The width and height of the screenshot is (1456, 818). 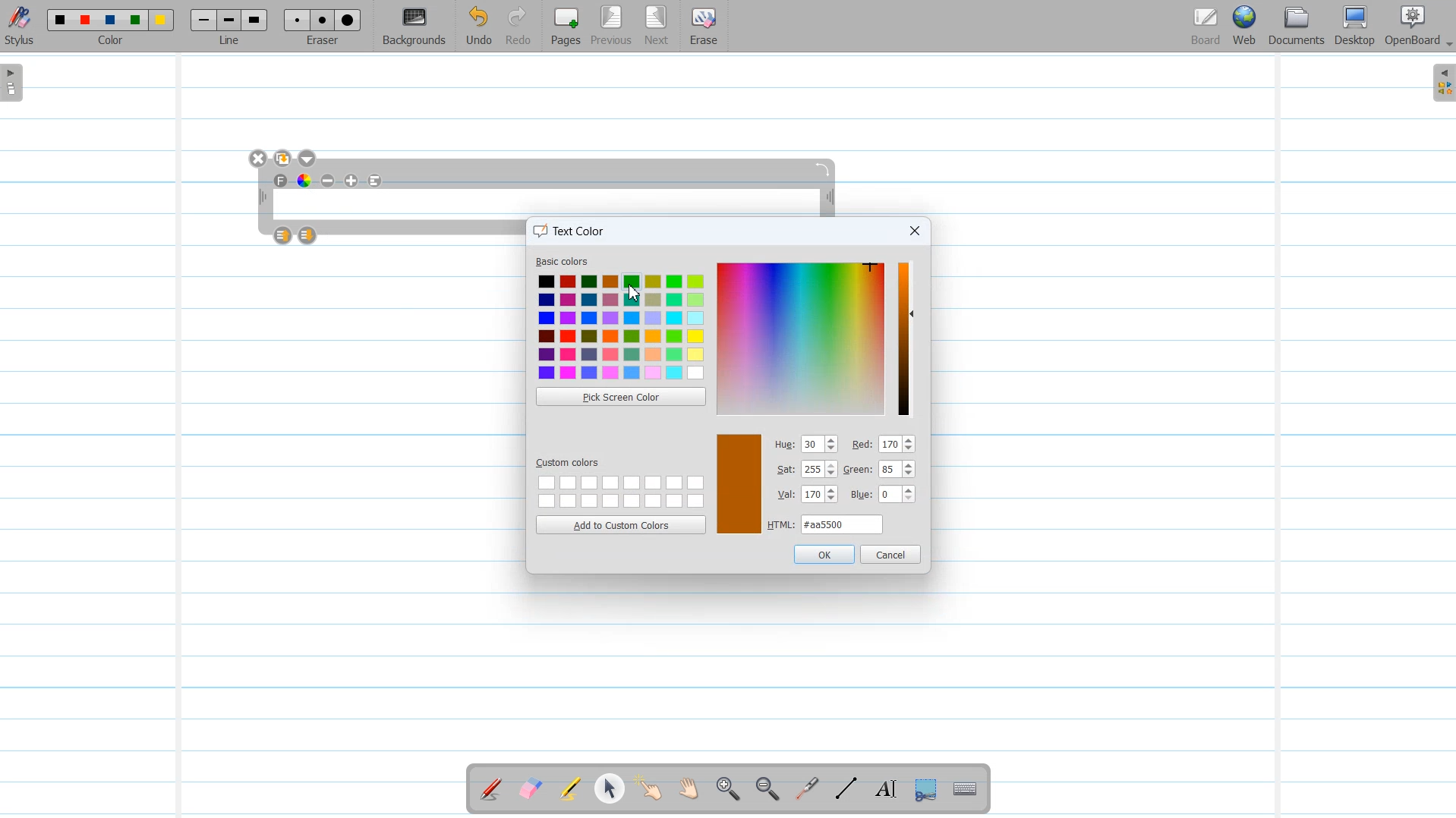 I want to click on Layer Down, so click(x=308, y=235).